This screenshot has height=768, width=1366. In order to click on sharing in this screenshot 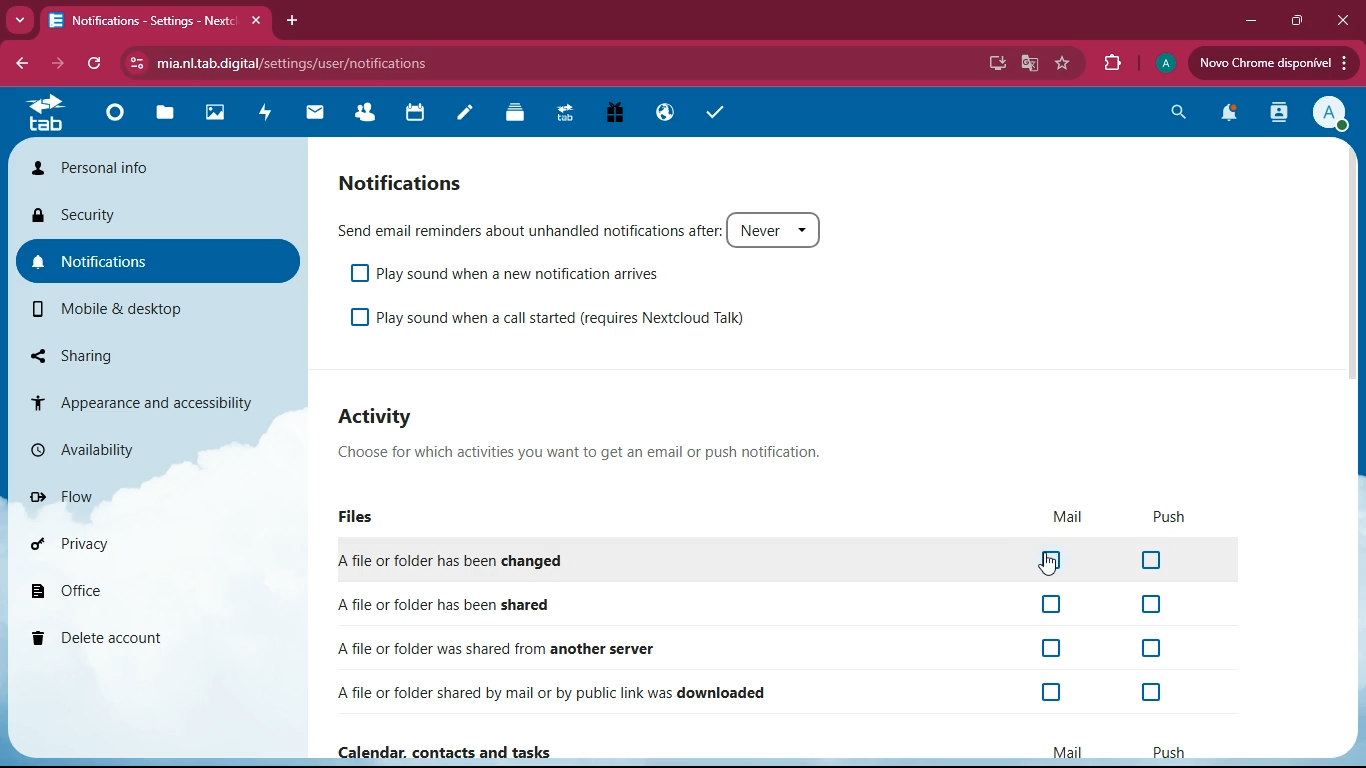, I will do `click(101, 352)`.